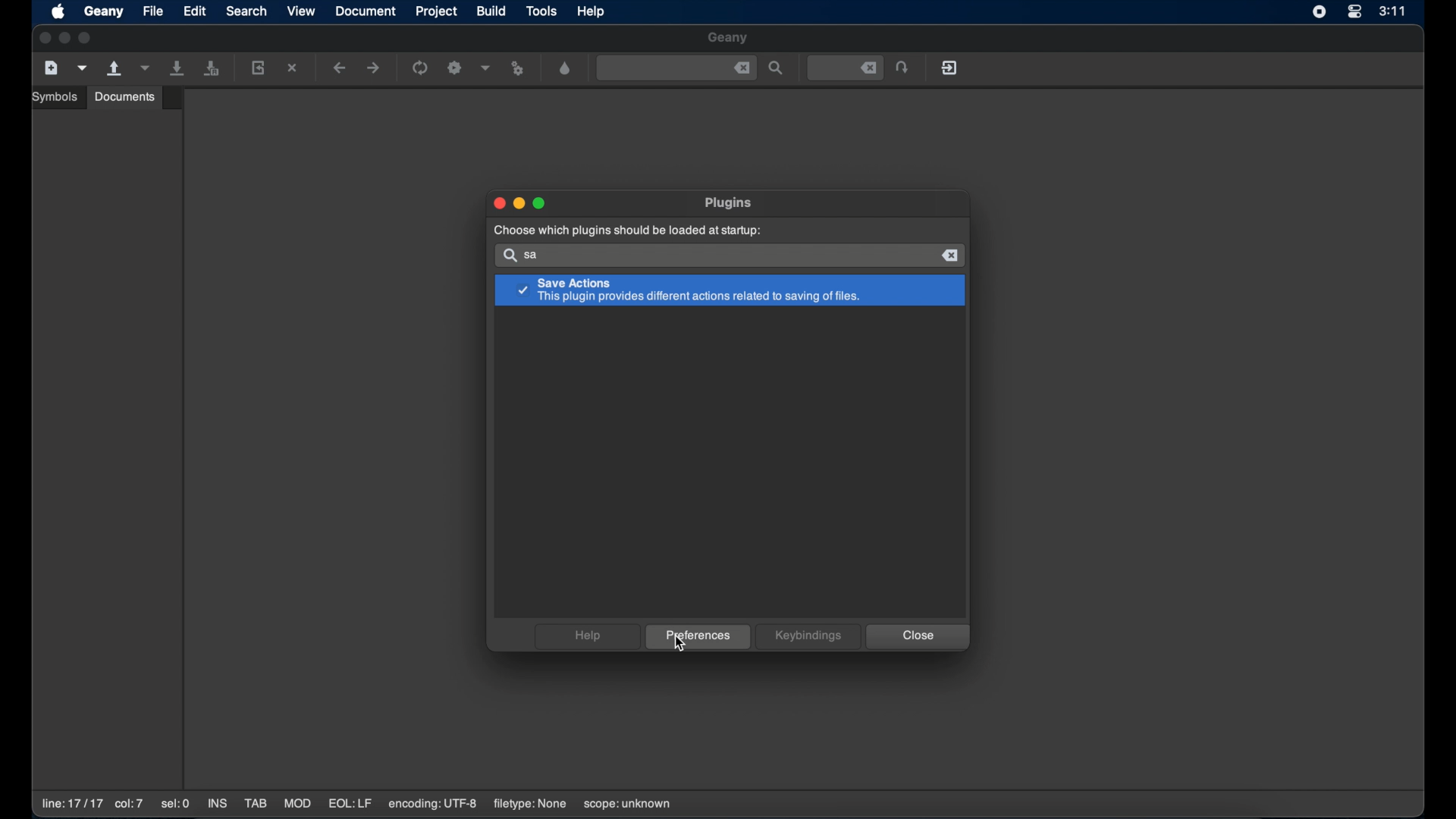 This screenshot has width=1456, height=819. I want to click on open a recent file, so click(145, 68).